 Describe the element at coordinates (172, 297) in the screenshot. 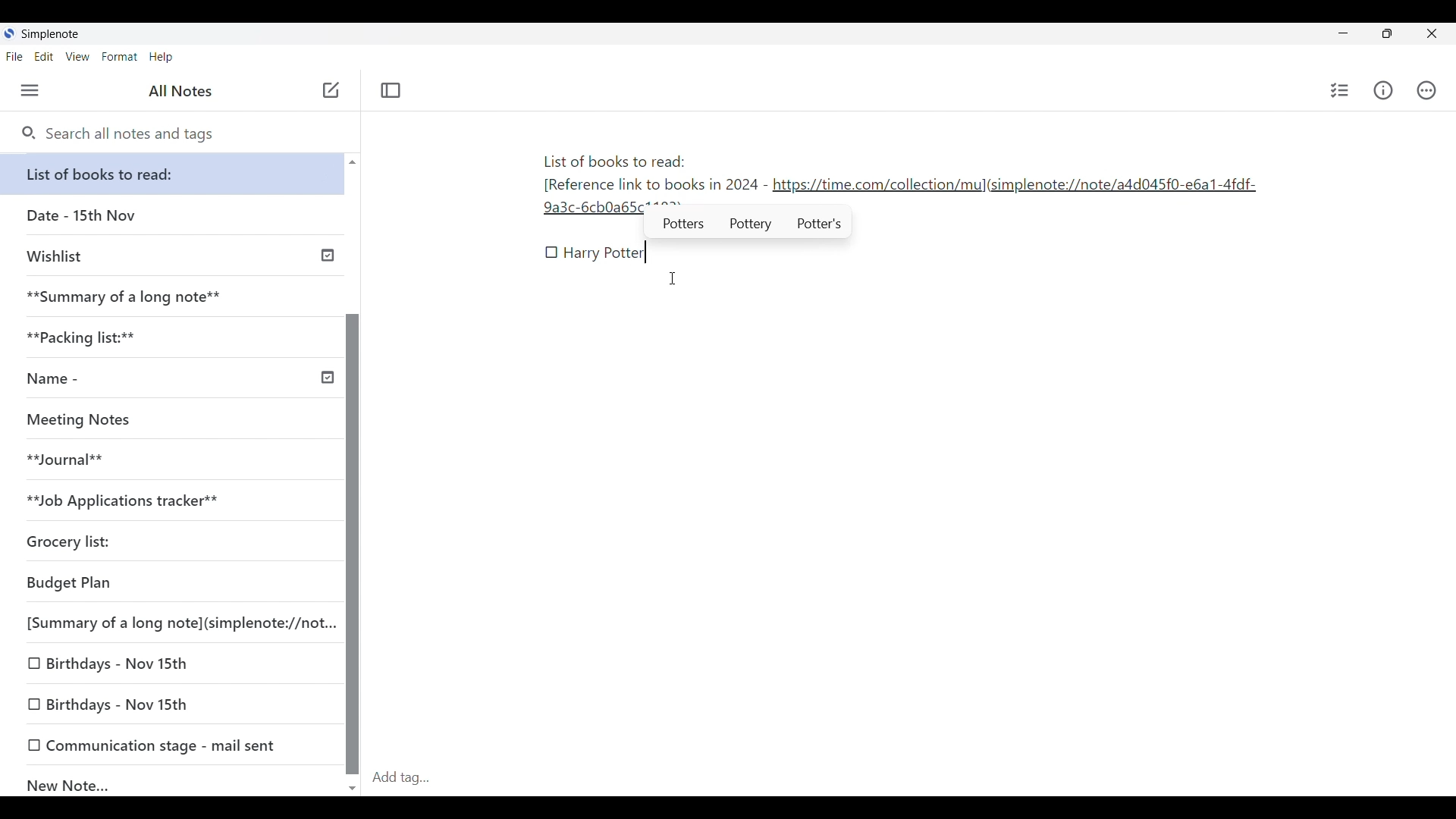

I see `**Summary of a long note**` at that location.